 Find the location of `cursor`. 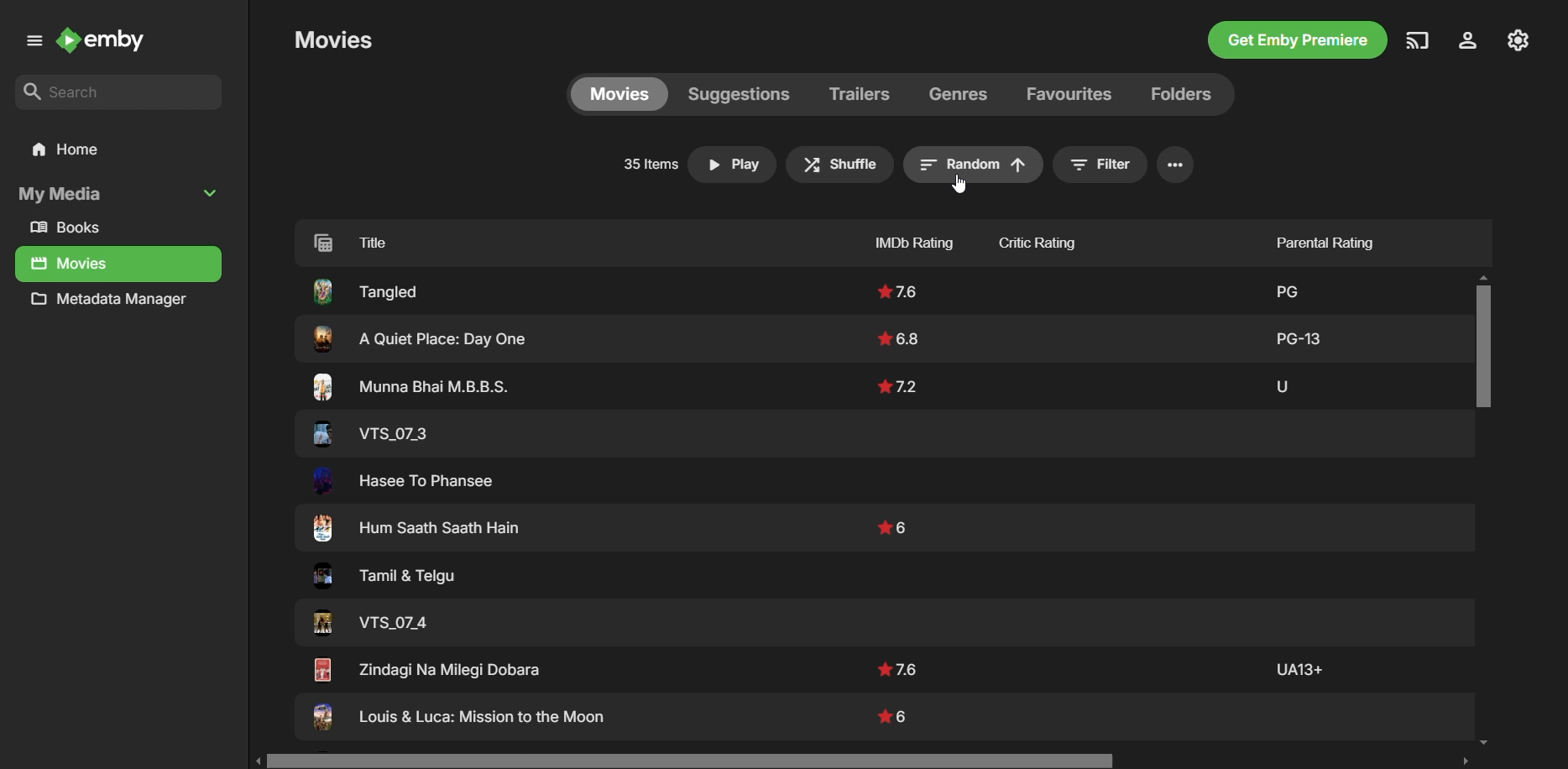

cursor is located at coordinates (960, 183).